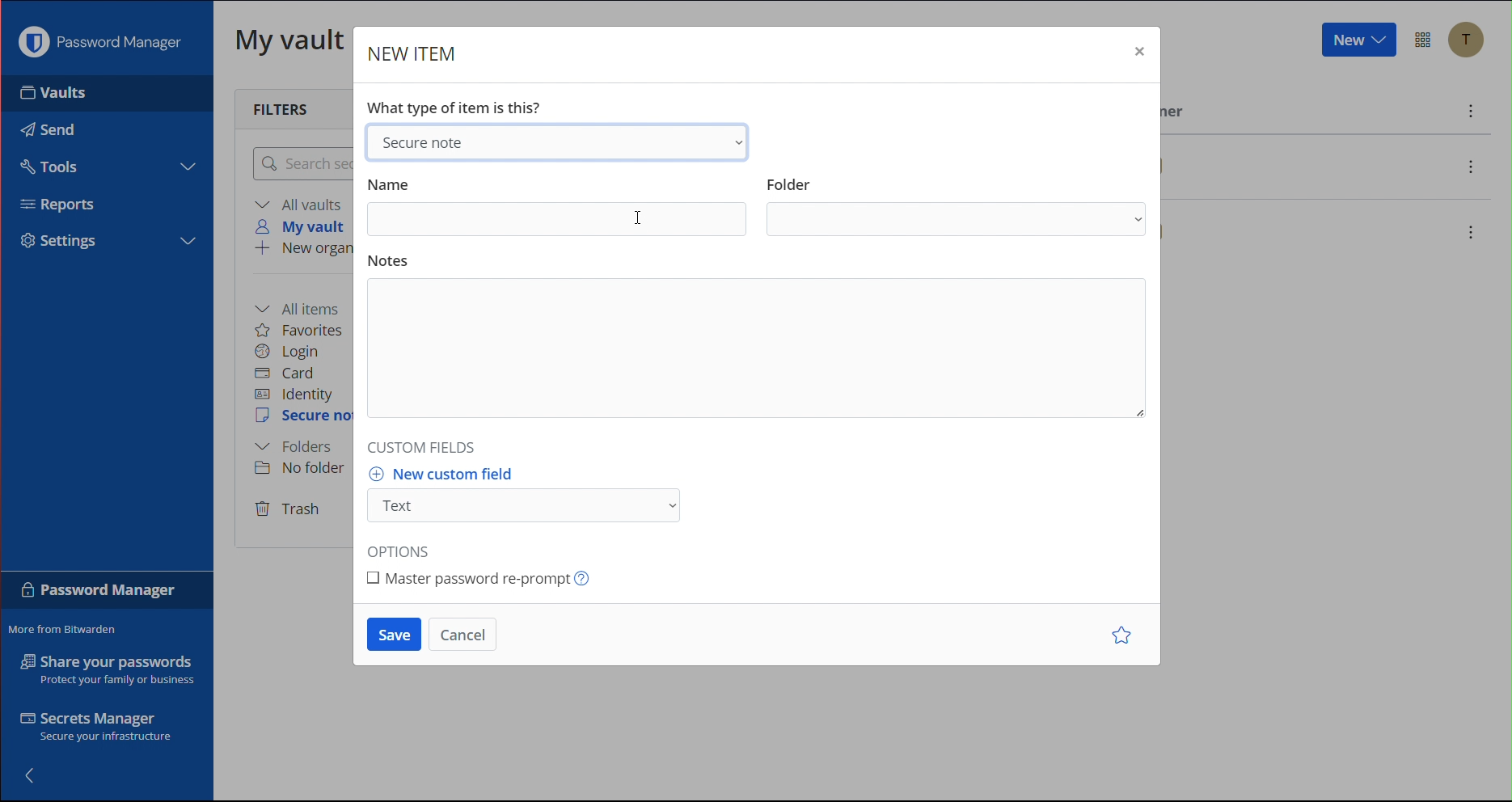  I want to click on All vaults, so click(302, 204).